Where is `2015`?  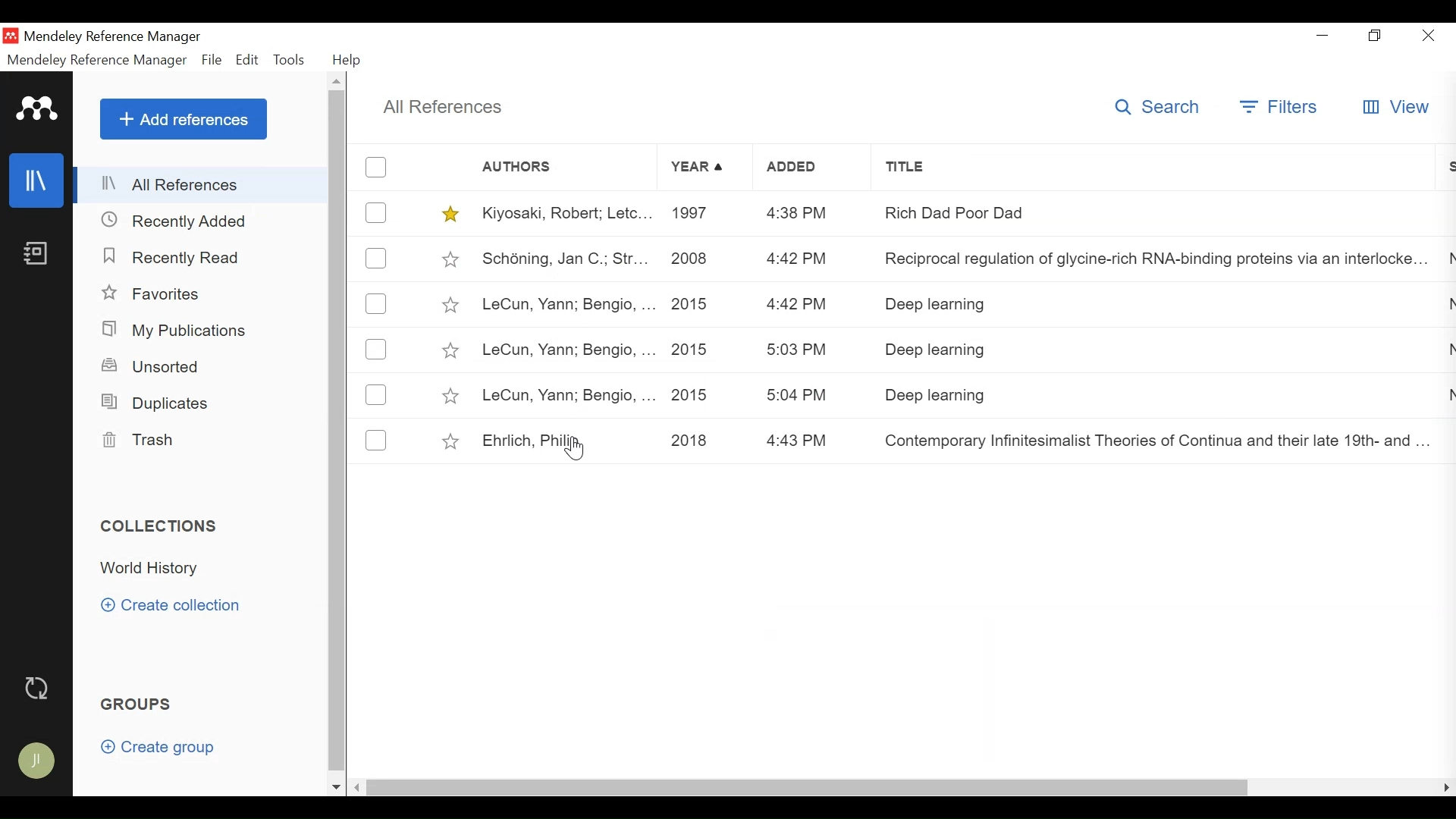 2015 is located at coordinates (693, 303).